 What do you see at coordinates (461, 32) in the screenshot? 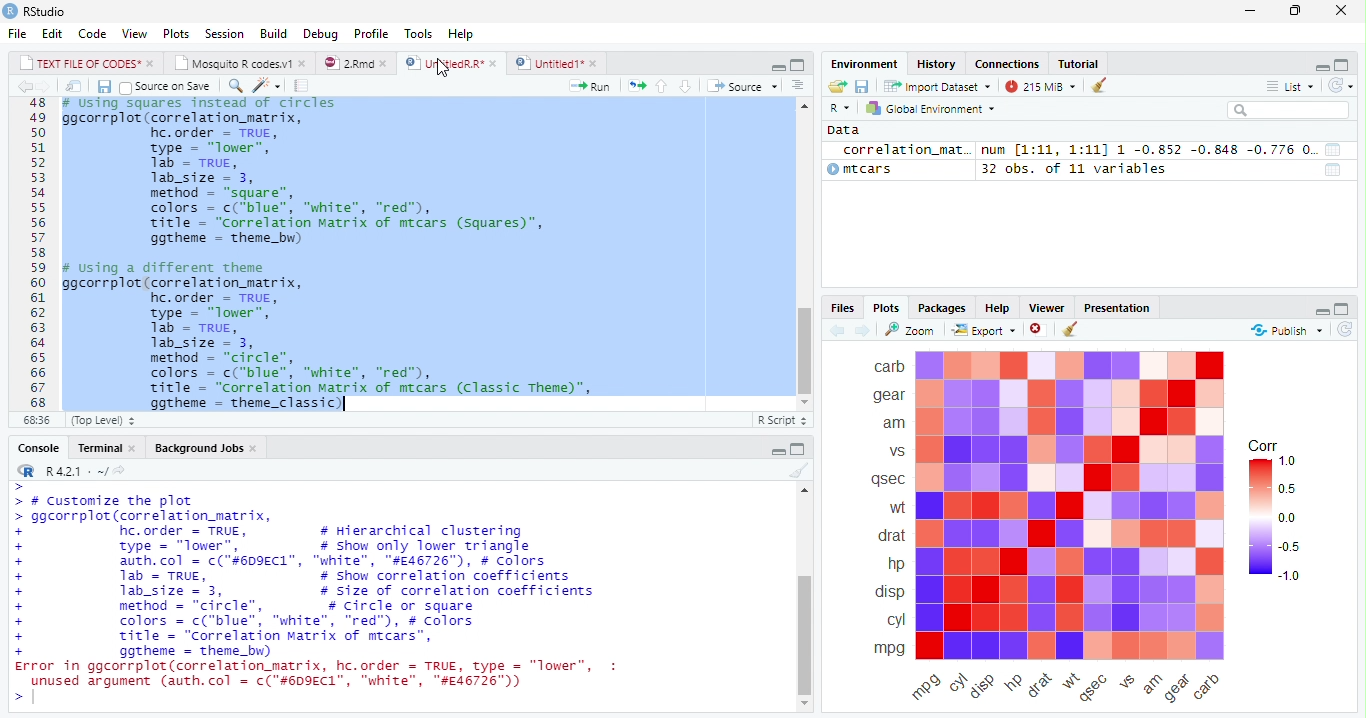
I see `Help` at bounding box center [461, 32].